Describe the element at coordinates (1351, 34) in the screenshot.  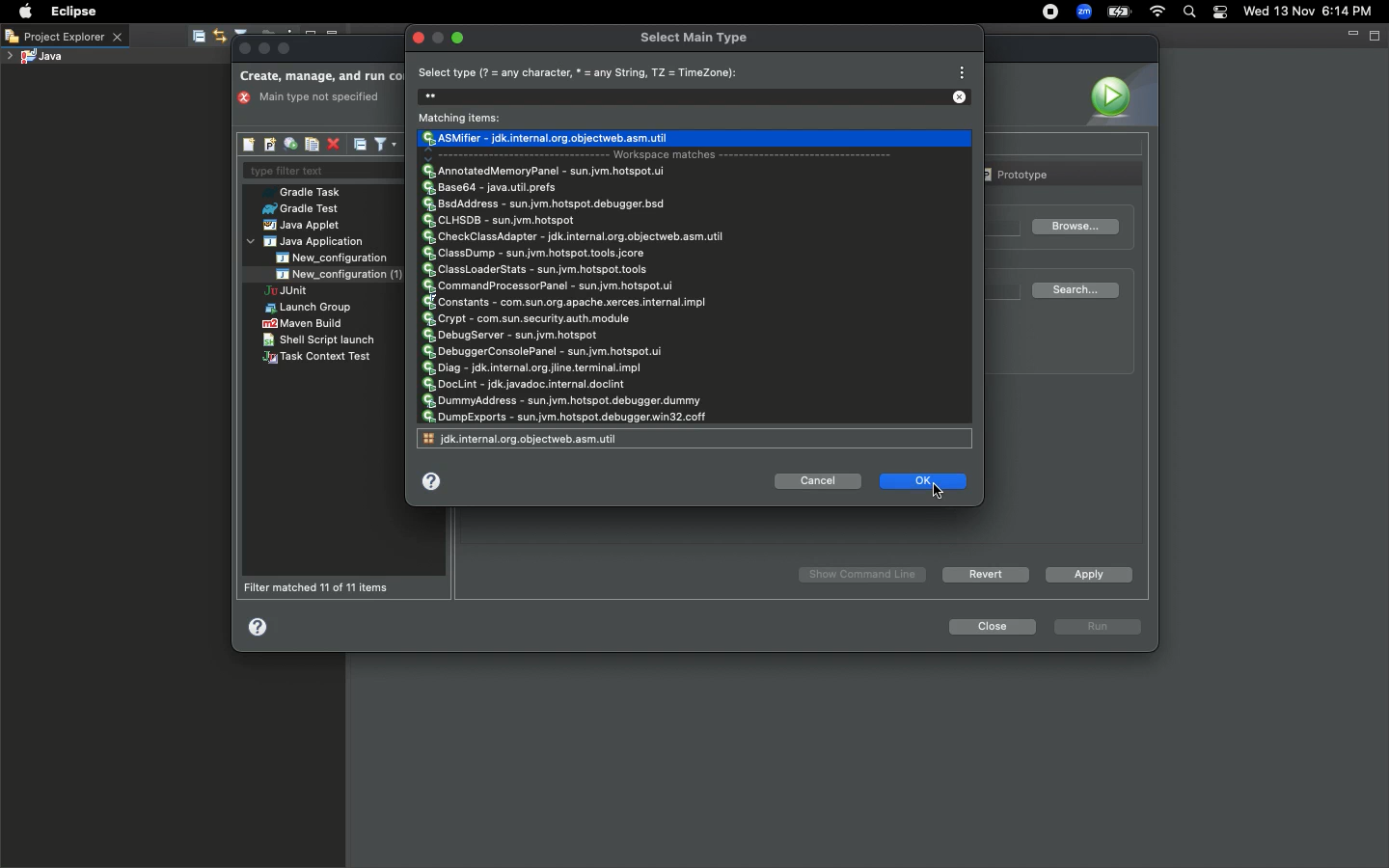
I see `Minimize` at that location.